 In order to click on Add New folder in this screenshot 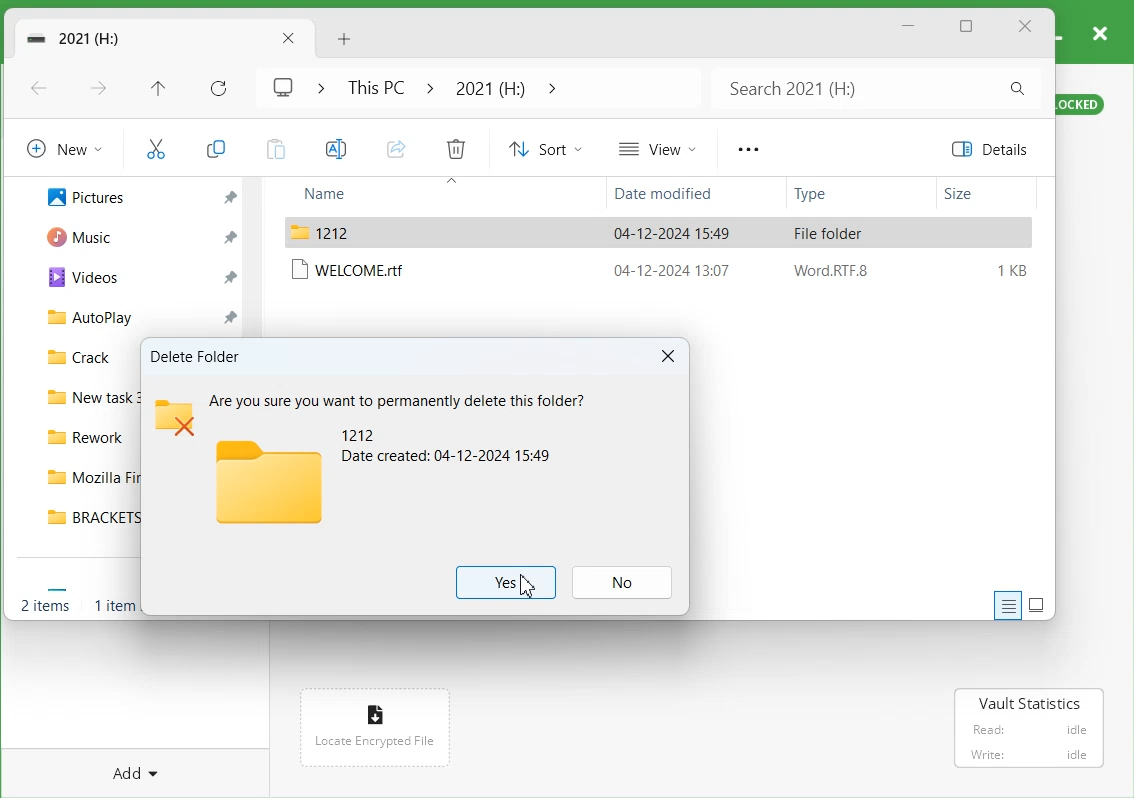, I will do `click(344, 37)`.